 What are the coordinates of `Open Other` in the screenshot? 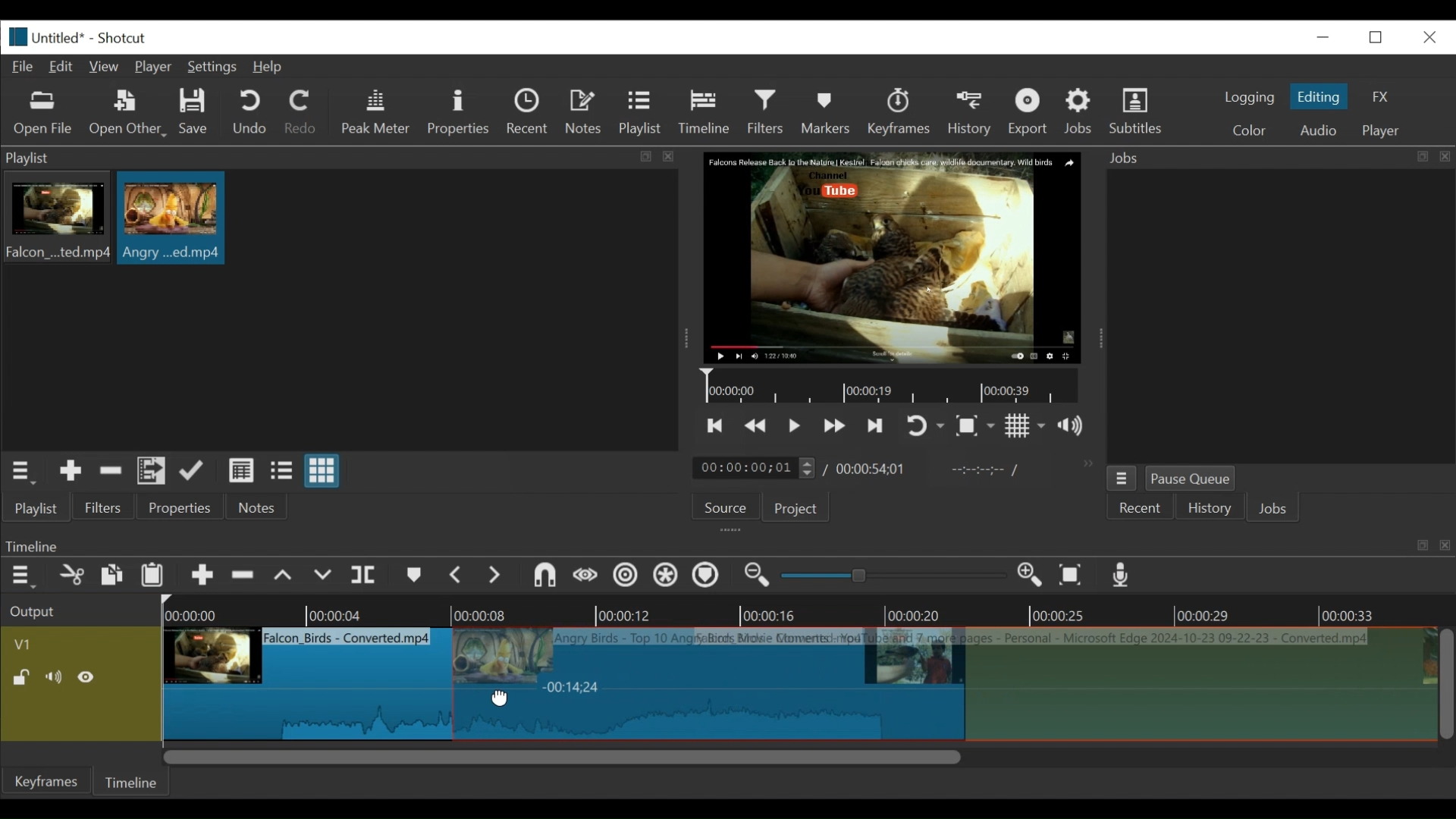 It's located at (129, 114).